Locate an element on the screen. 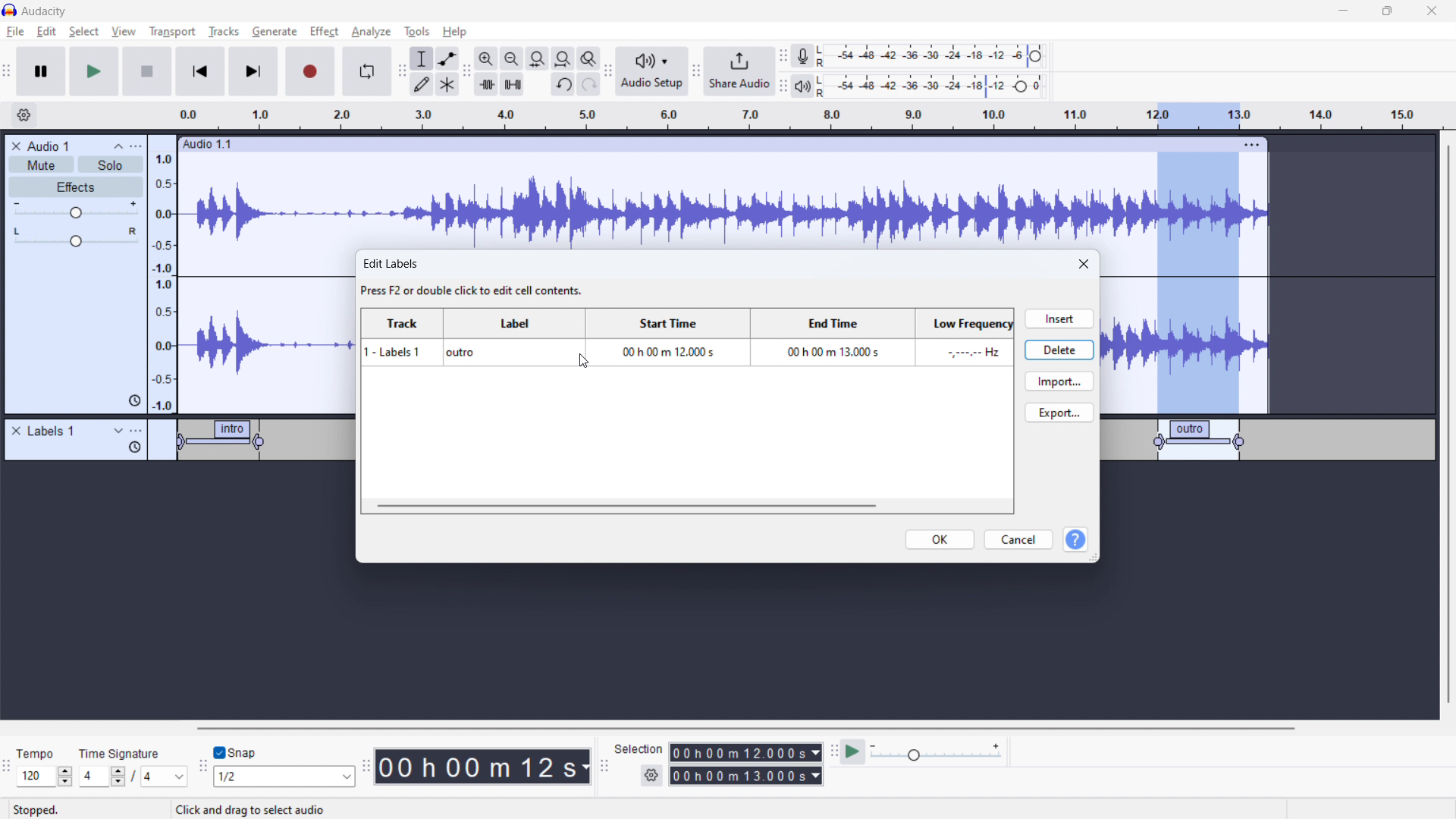 The width and height of the screenshot is (1456, 819). Click and drag to move right selection boundary. is located at coordinates (298, 809).